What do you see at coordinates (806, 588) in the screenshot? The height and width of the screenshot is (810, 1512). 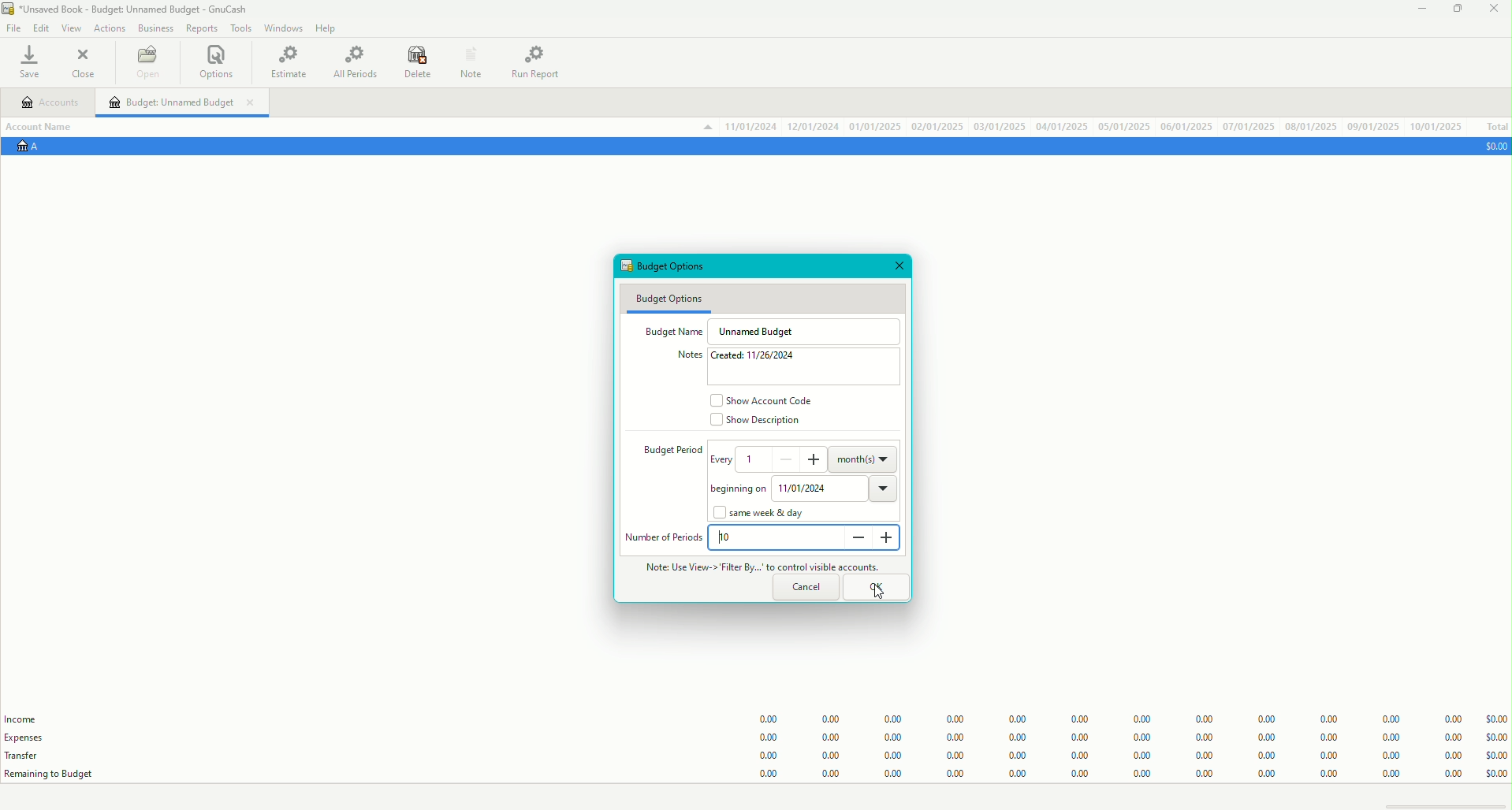 I see `Cancel` at bounding box center [806, 588].